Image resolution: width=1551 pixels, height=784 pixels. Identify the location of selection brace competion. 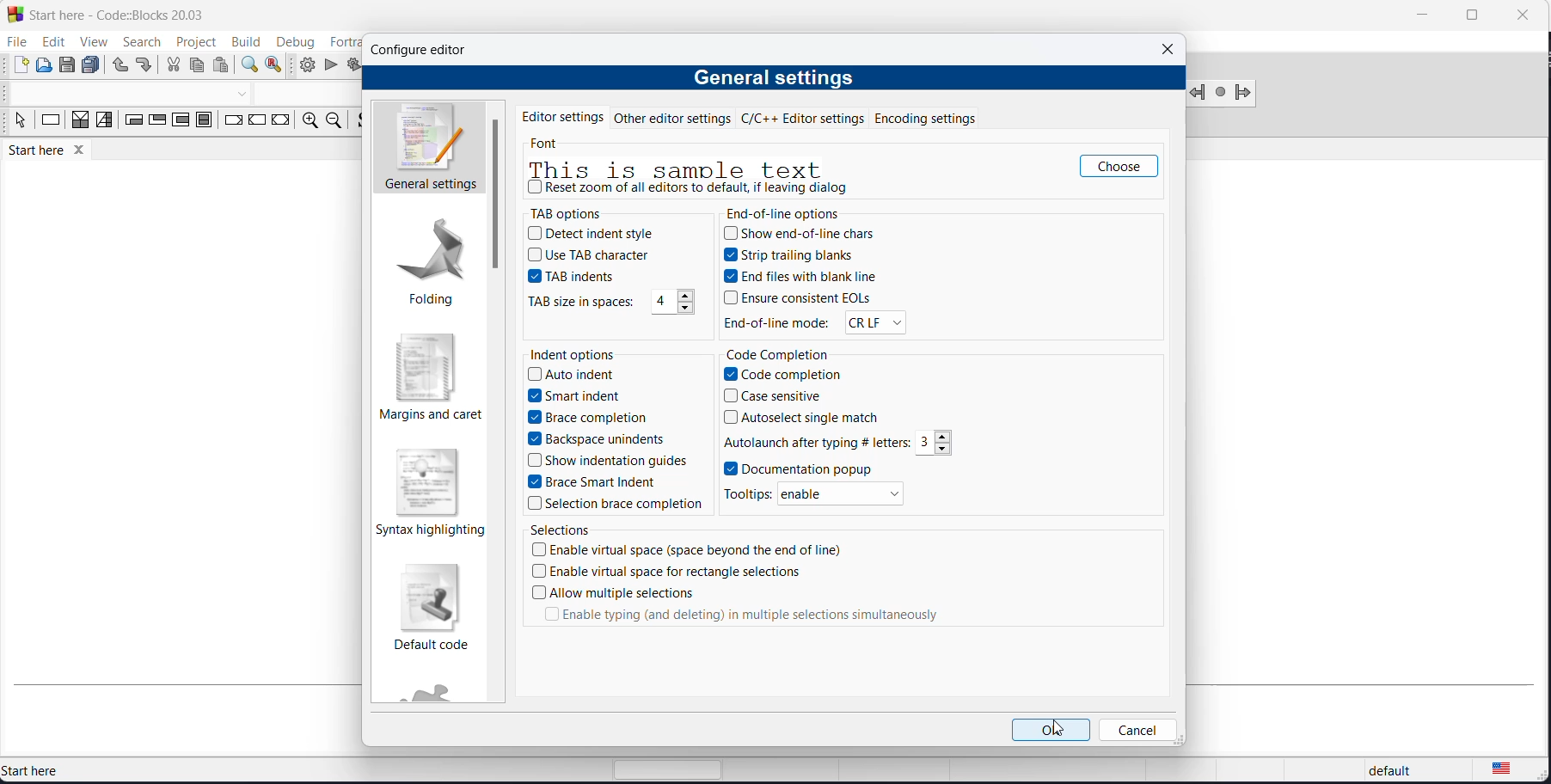
(610, 505).